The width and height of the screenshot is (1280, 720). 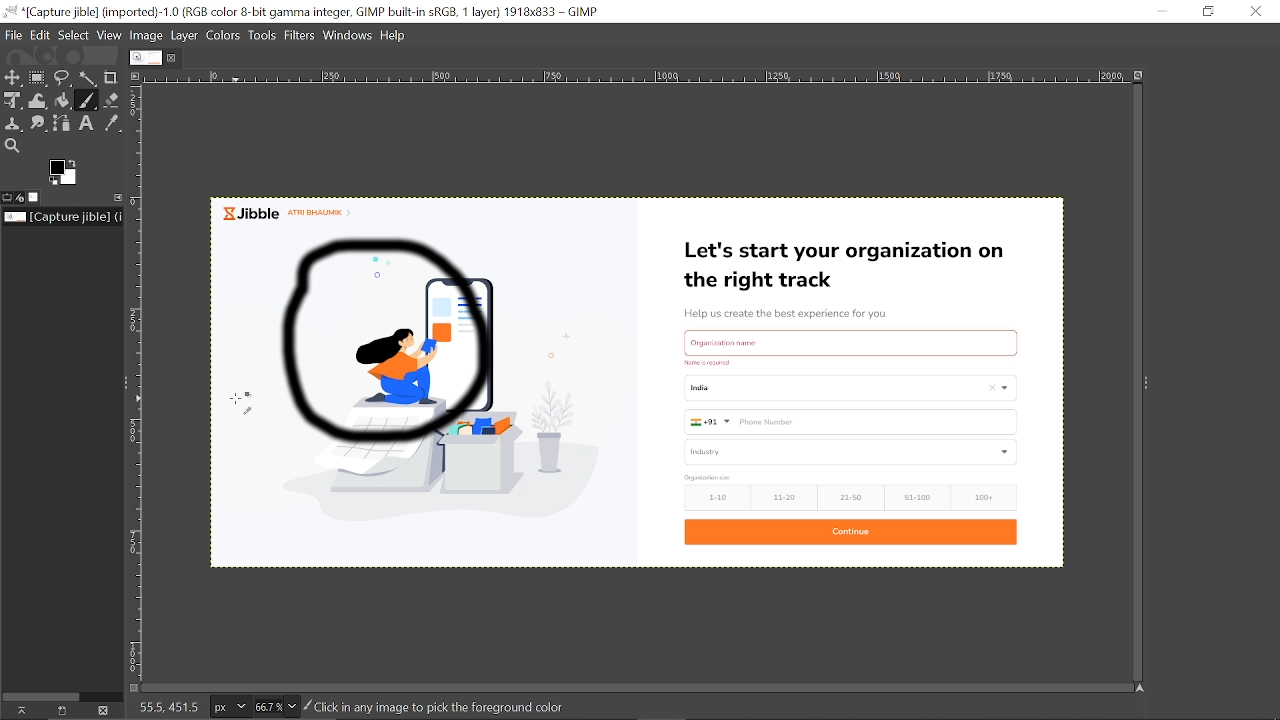 What do you see at coordinates (138, 75) in the screenshot?
I see `Access this image menu` at bounding box center [138, 75].